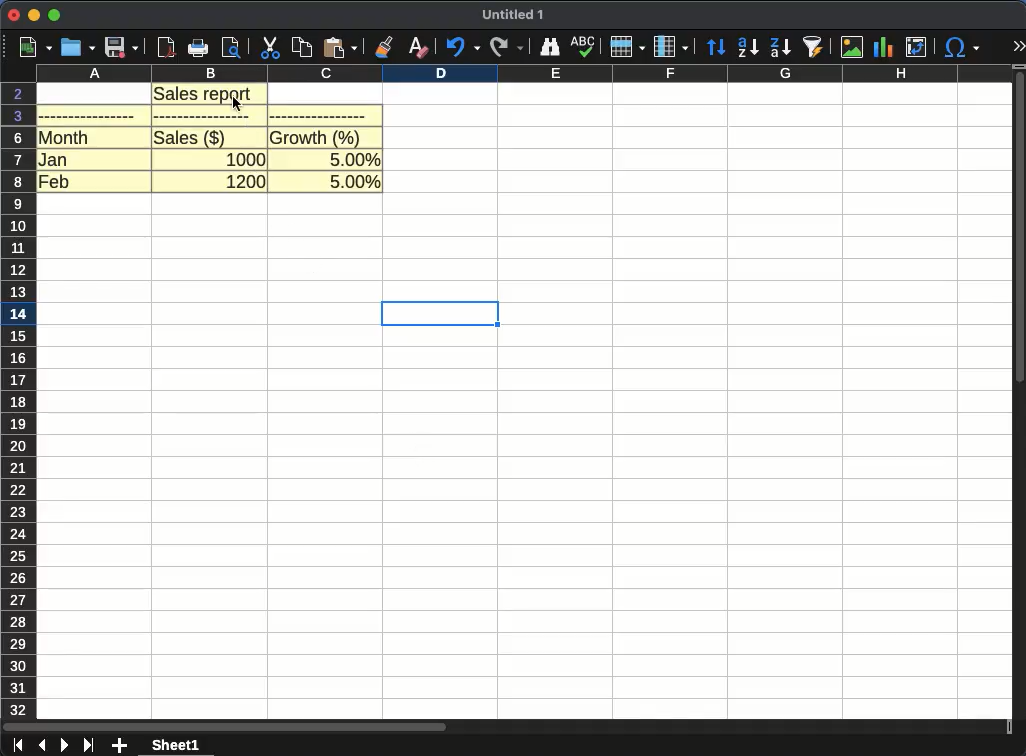  I want to click on pdf viewer, so click(166, 48).